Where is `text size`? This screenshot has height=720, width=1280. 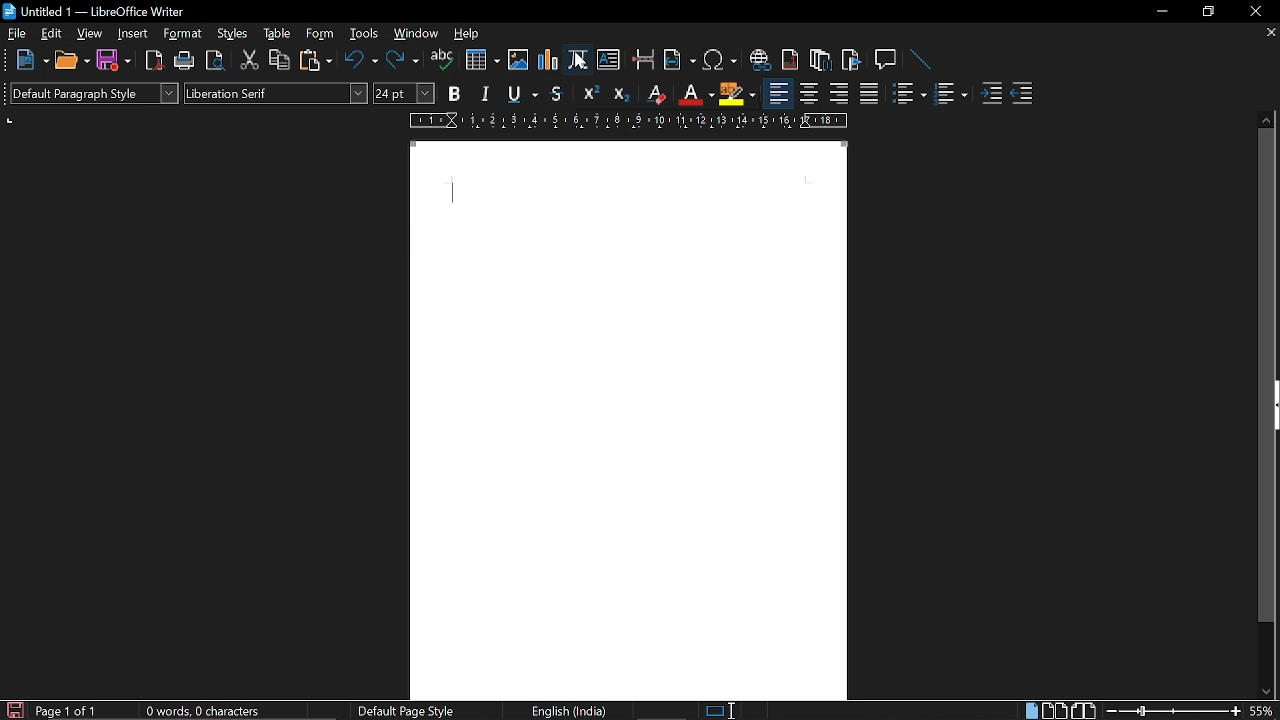
text size is located at coordinates (404, 92).